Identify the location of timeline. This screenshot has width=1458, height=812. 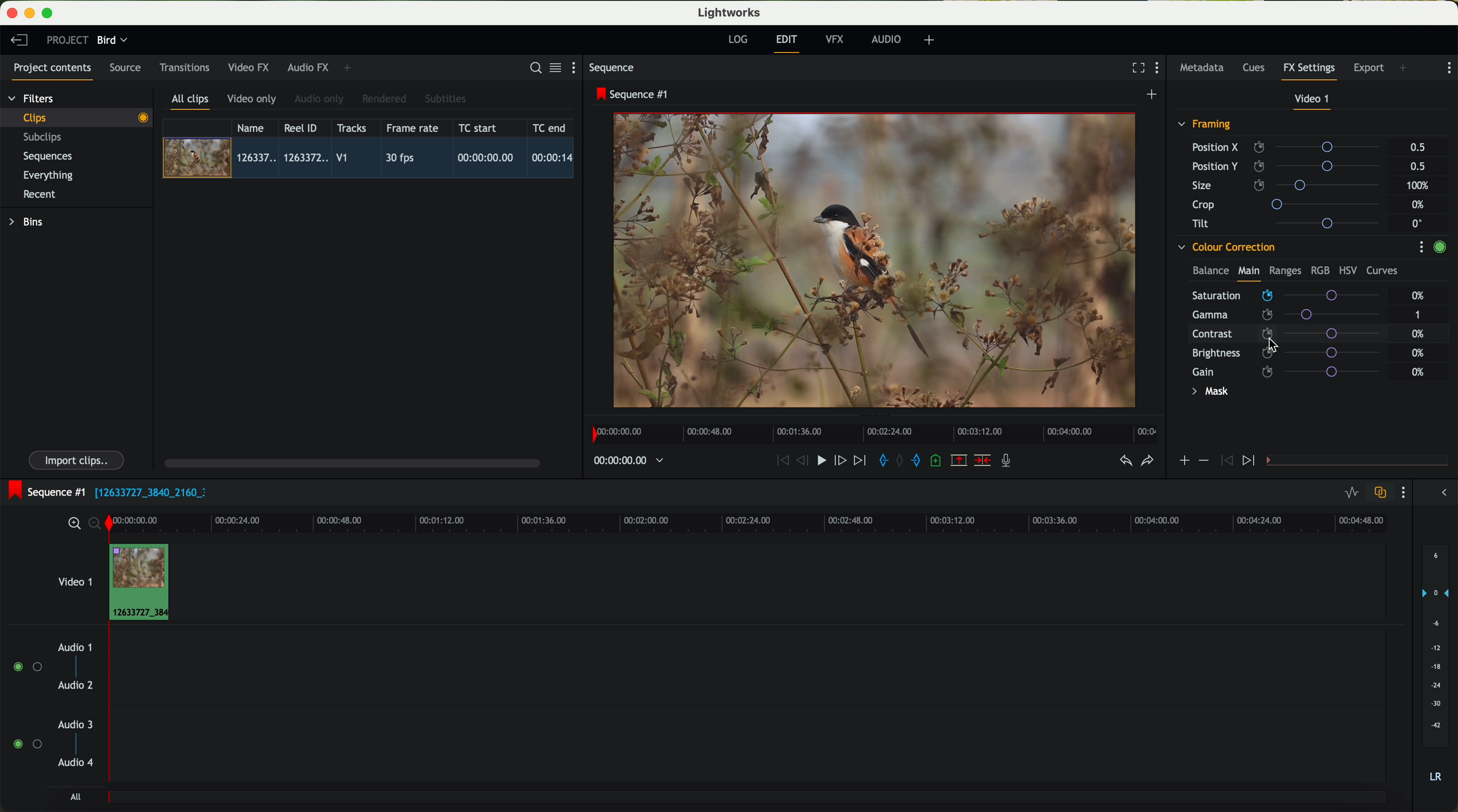
(871, 431).